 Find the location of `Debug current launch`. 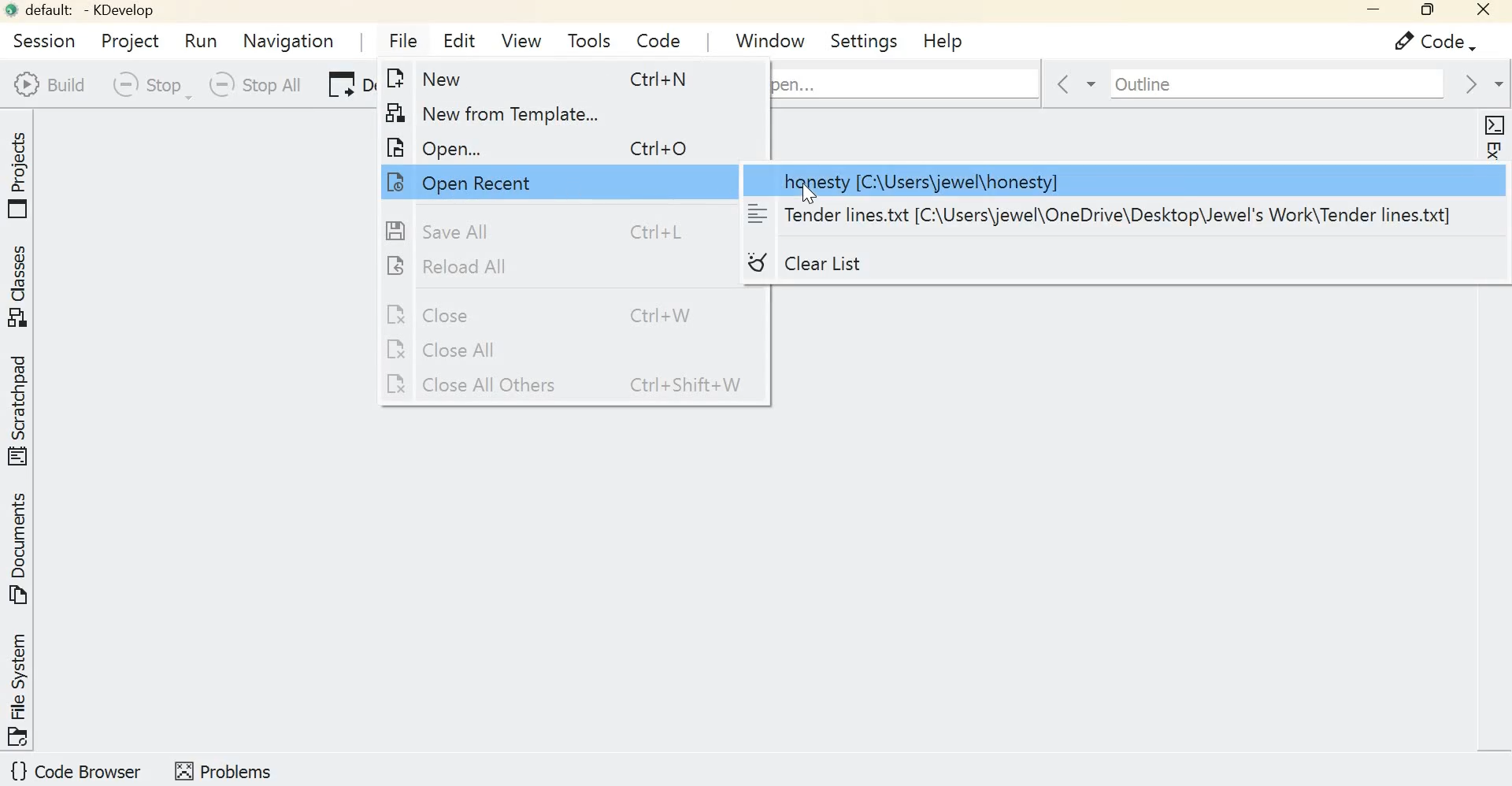

Debug current launch is located at coordinates (346, 87).